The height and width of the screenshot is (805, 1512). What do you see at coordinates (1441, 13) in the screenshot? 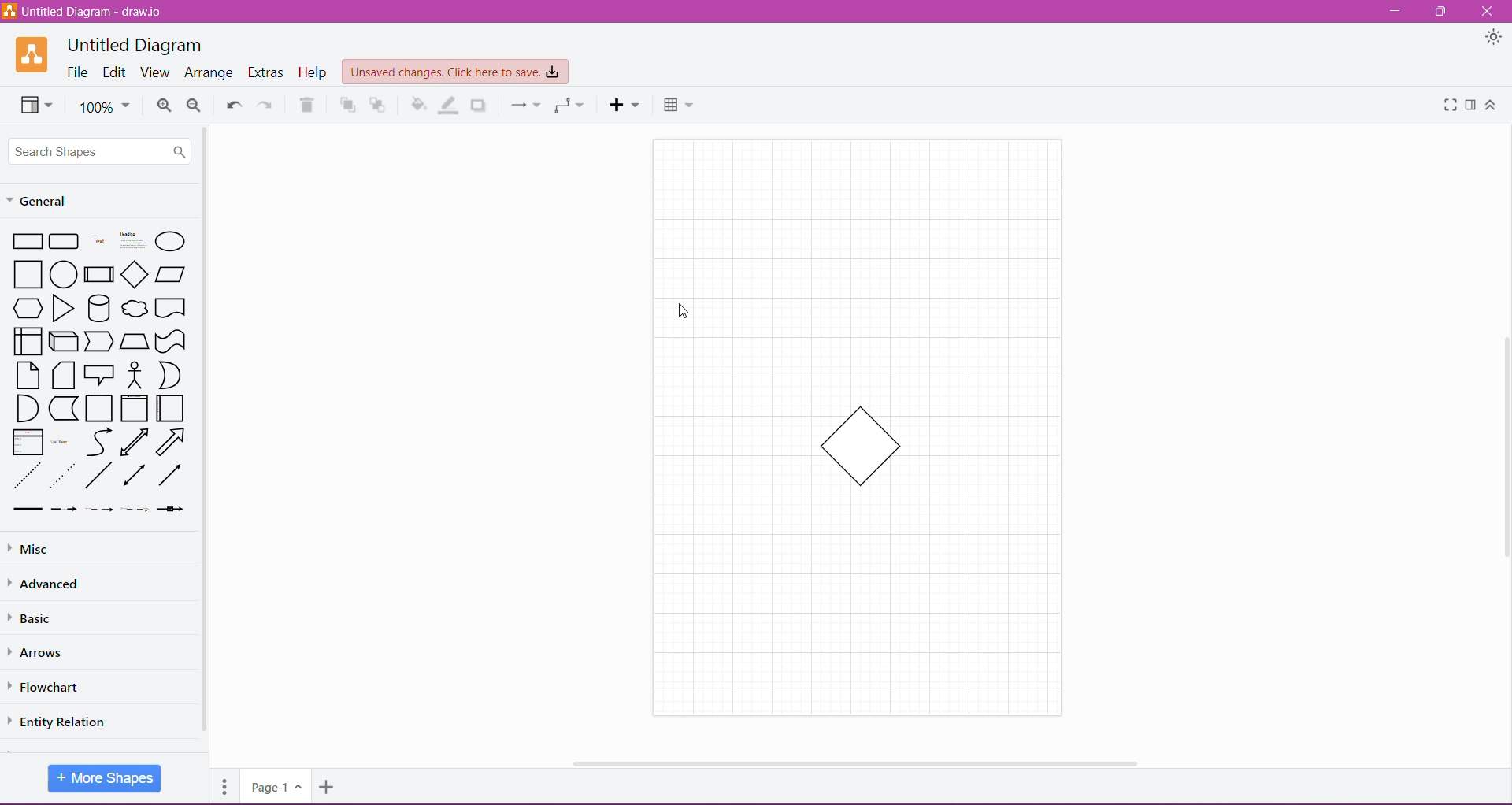
I see `Restore Down` at bounding box center [1441, 13].